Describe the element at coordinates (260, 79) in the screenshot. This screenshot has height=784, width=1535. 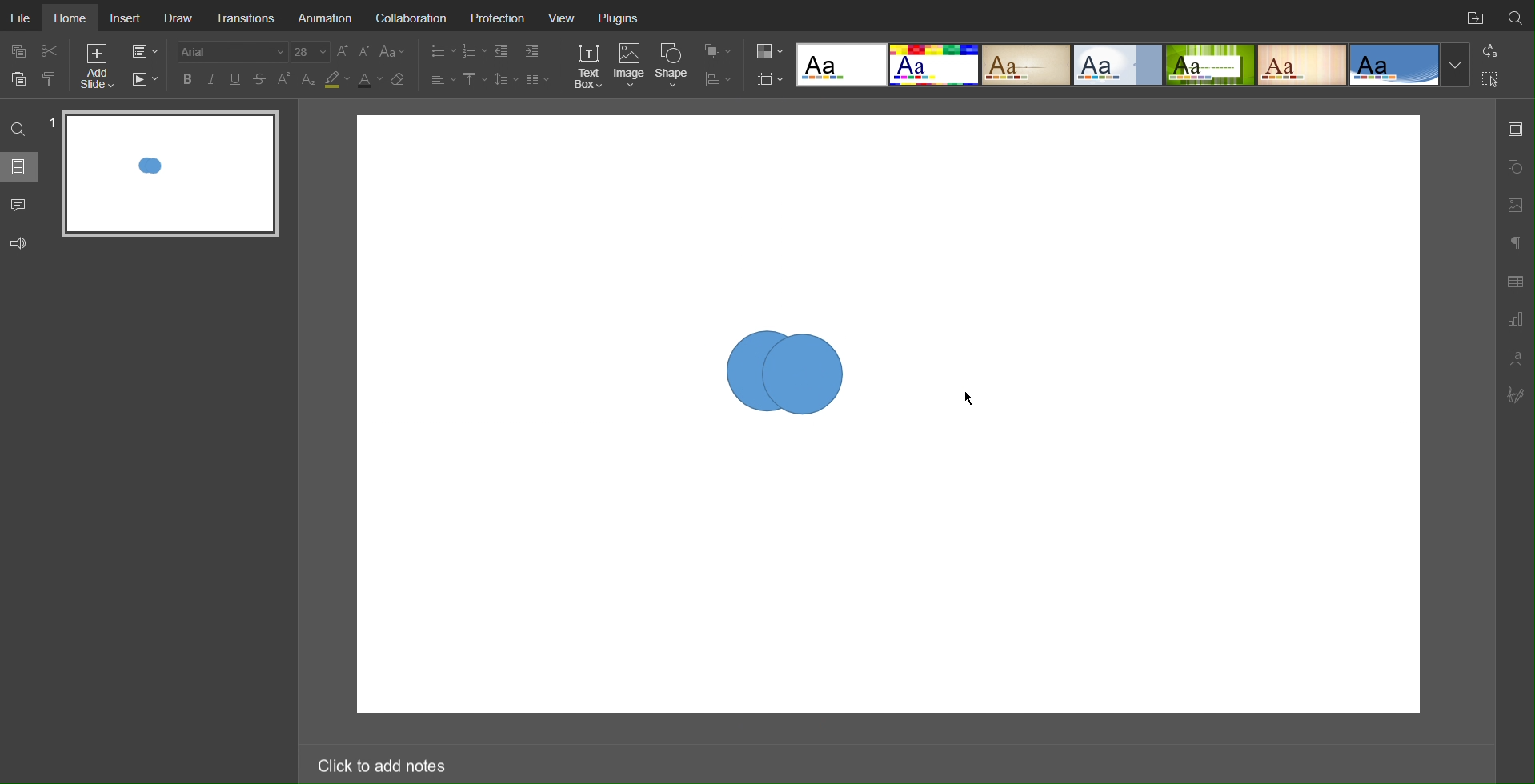
I see `Strikethrough` at that location.